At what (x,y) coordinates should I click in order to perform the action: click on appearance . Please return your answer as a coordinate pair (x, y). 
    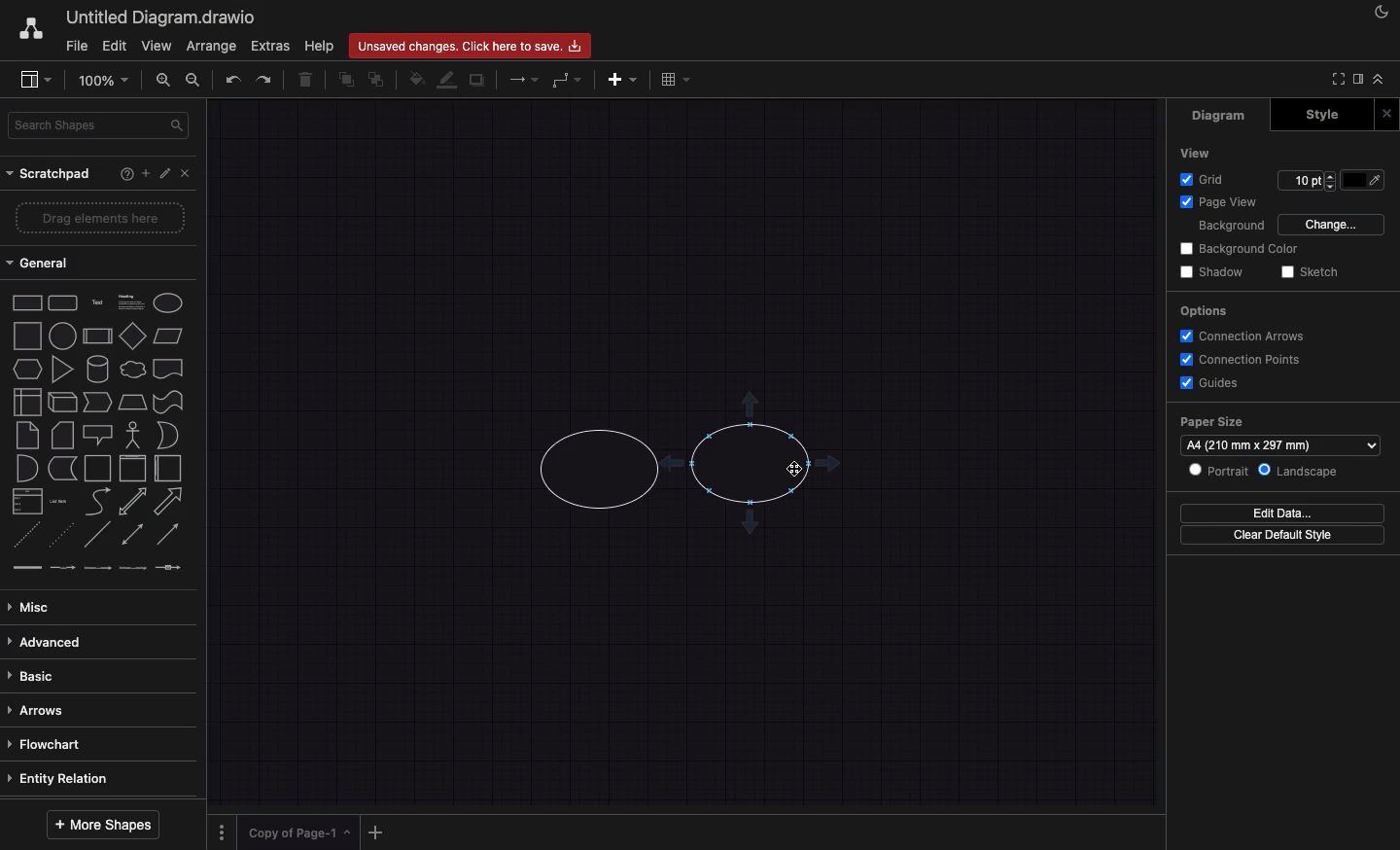
    Looking at the image, I should click on (1380, 17).